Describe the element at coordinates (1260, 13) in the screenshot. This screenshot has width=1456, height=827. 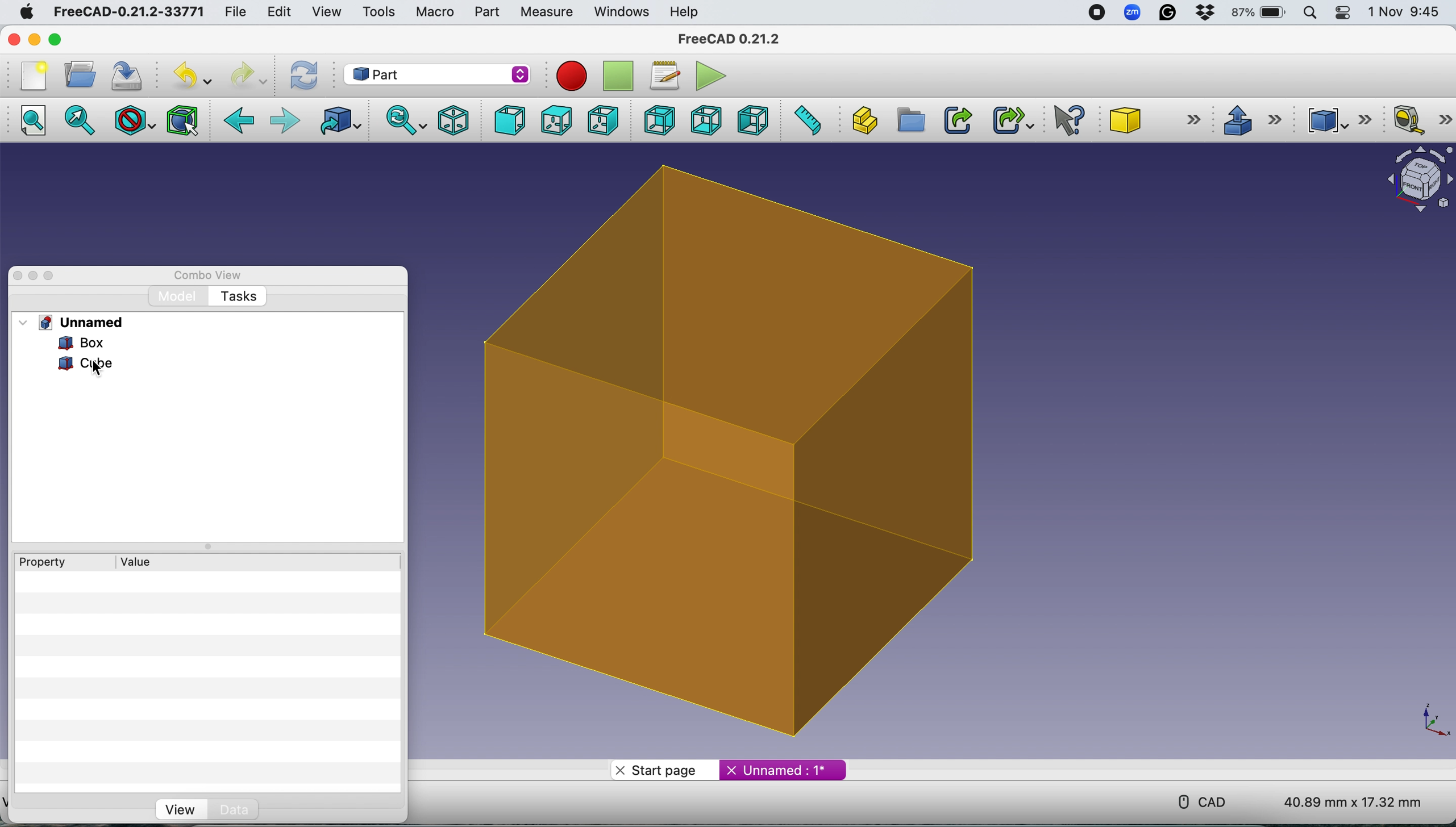
I see `87% battery` at that location.